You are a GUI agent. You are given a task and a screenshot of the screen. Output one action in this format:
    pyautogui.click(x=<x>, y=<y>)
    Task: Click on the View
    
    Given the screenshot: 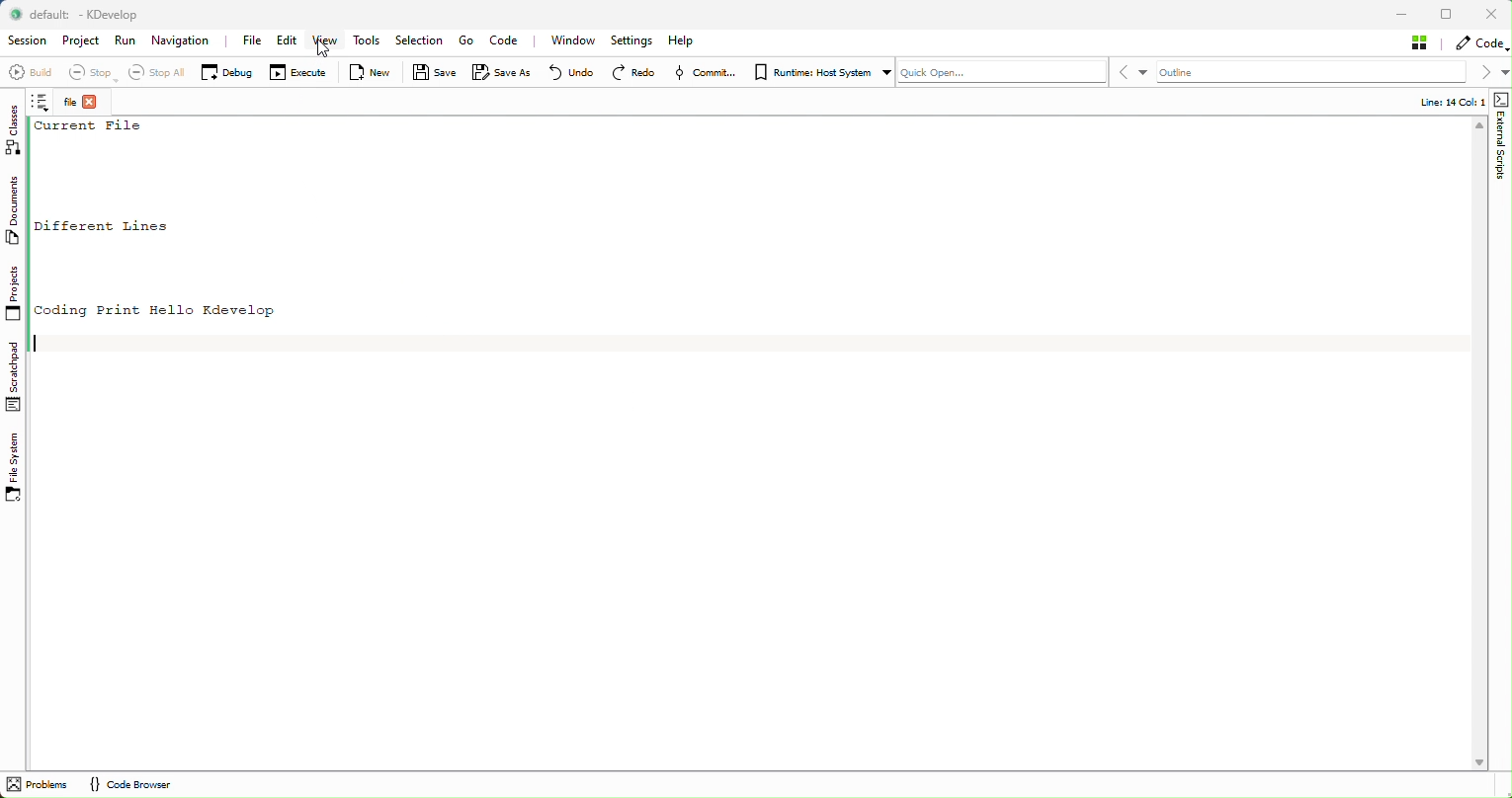 What is the action you would take?
    pyautogui.click(x=324, y=45)
    